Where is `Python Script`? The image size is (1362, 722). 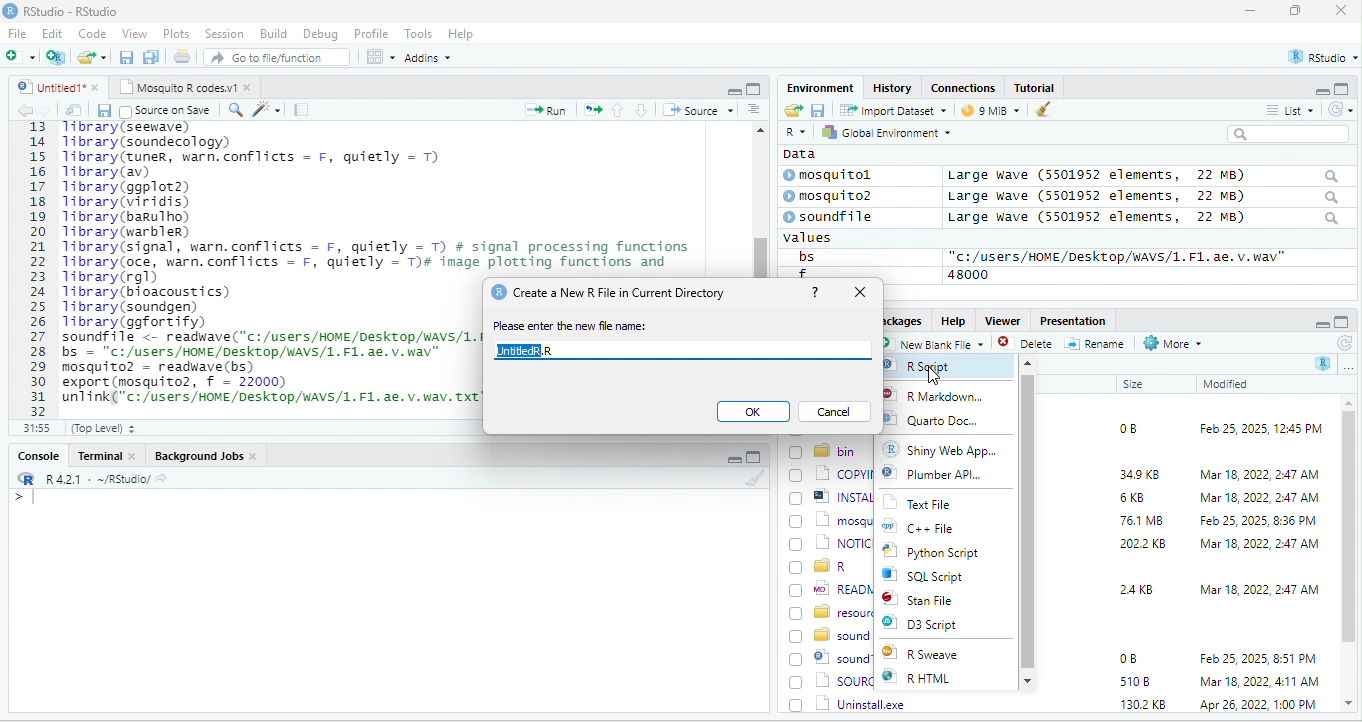
Python Script is located at coordinates (945, 554).